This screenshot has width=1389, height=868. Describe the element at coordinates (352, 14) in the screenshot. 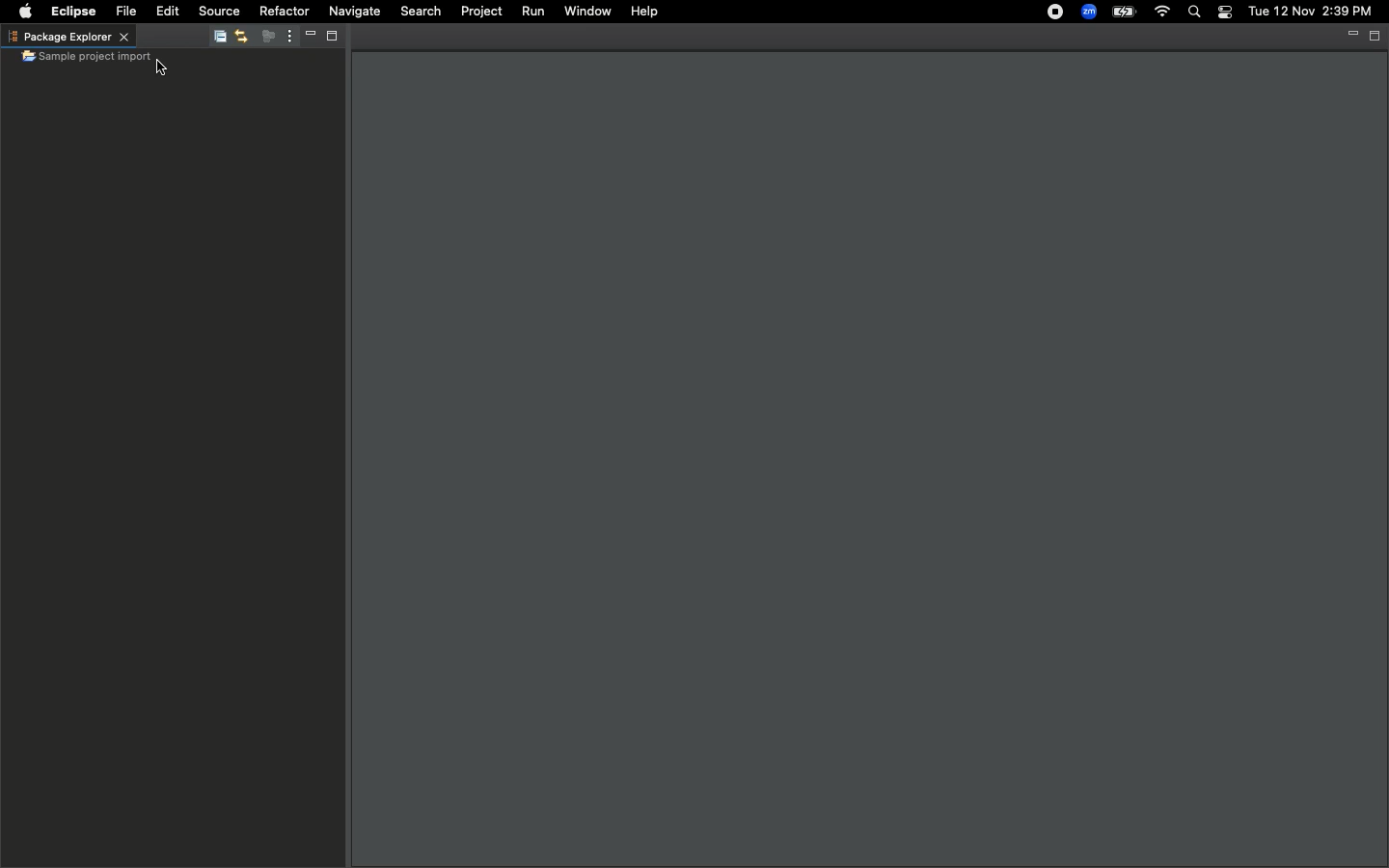

I see `Navigate` at that location.